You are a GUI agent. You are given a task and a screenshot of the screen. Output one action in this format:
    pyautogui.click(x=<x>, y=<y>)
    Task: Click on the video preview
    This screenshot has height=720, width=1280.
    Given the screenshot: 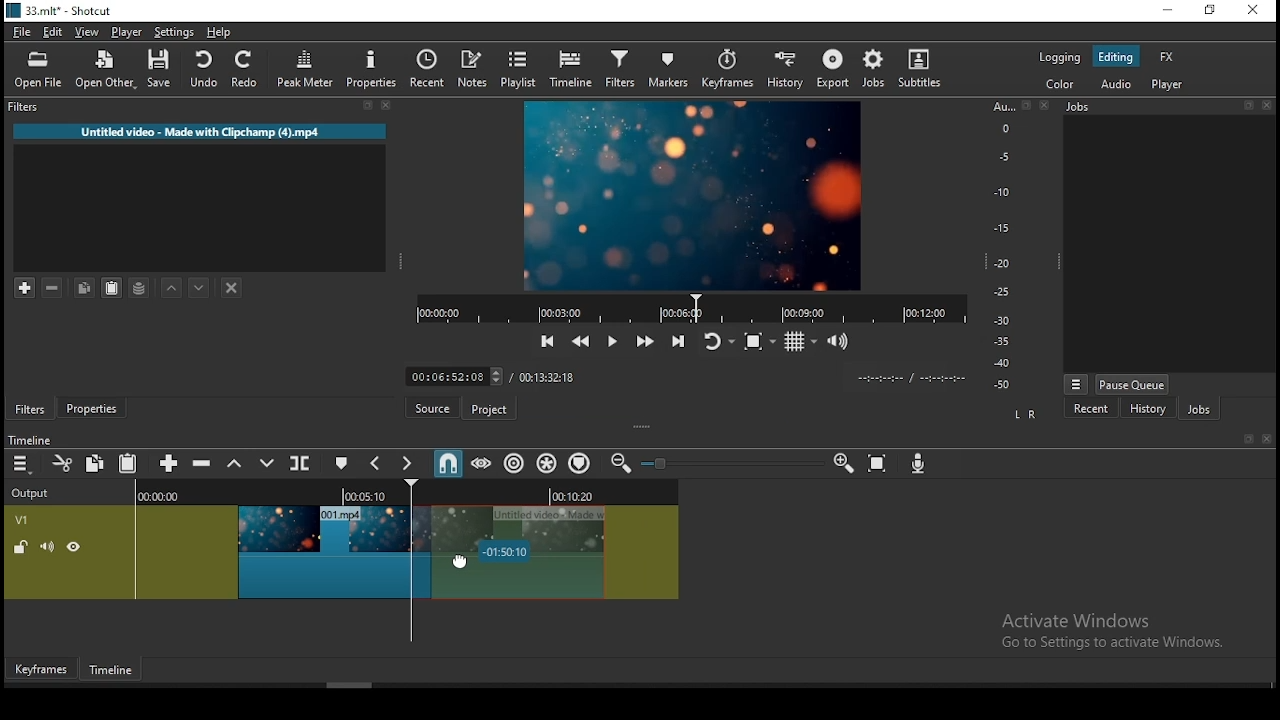 What is the action you would take?
    pyautogui.click(x=695, y=197)
    